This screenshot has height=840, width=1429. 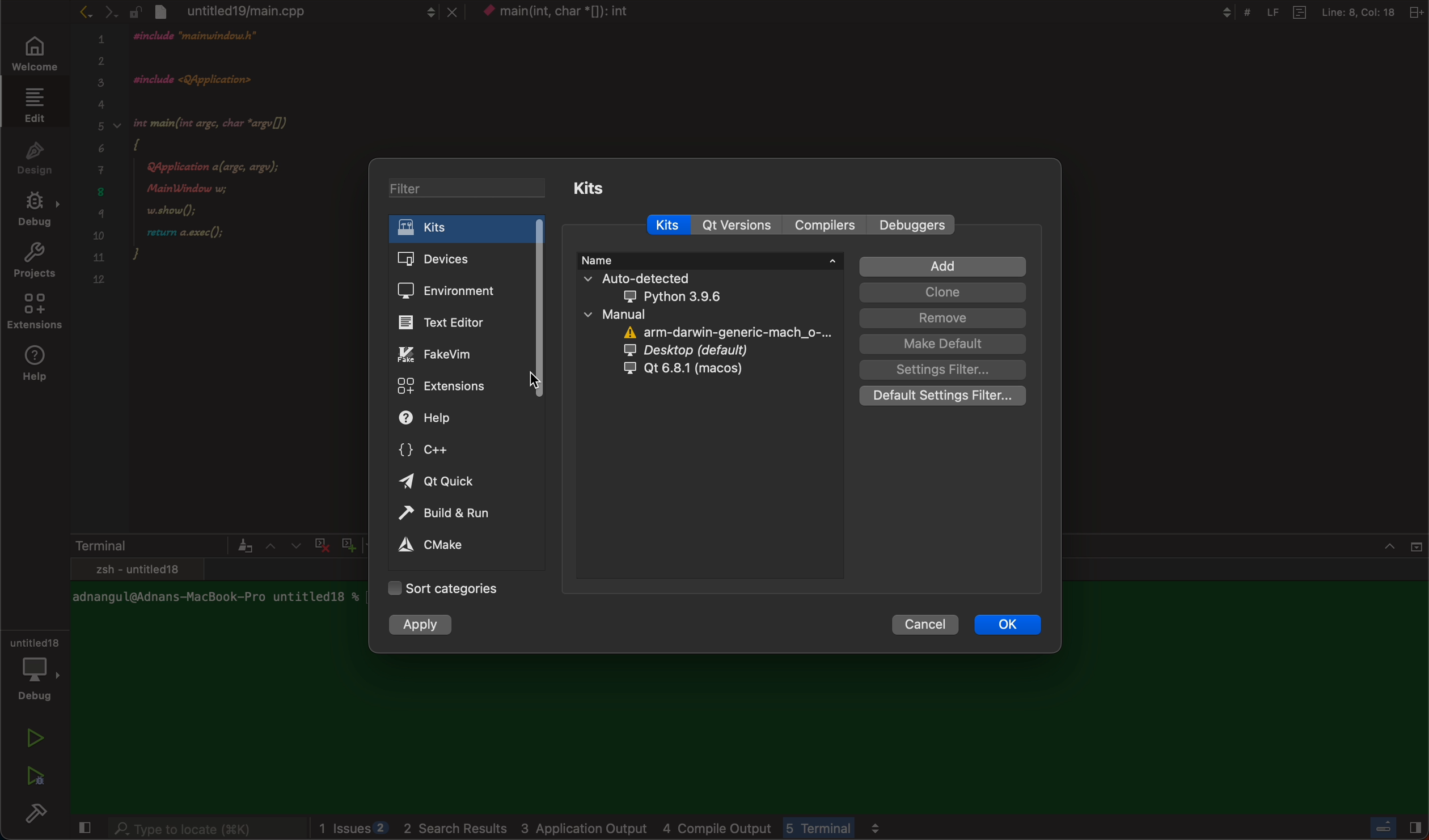 I want to click on build and run, so click(x=456, y=514).